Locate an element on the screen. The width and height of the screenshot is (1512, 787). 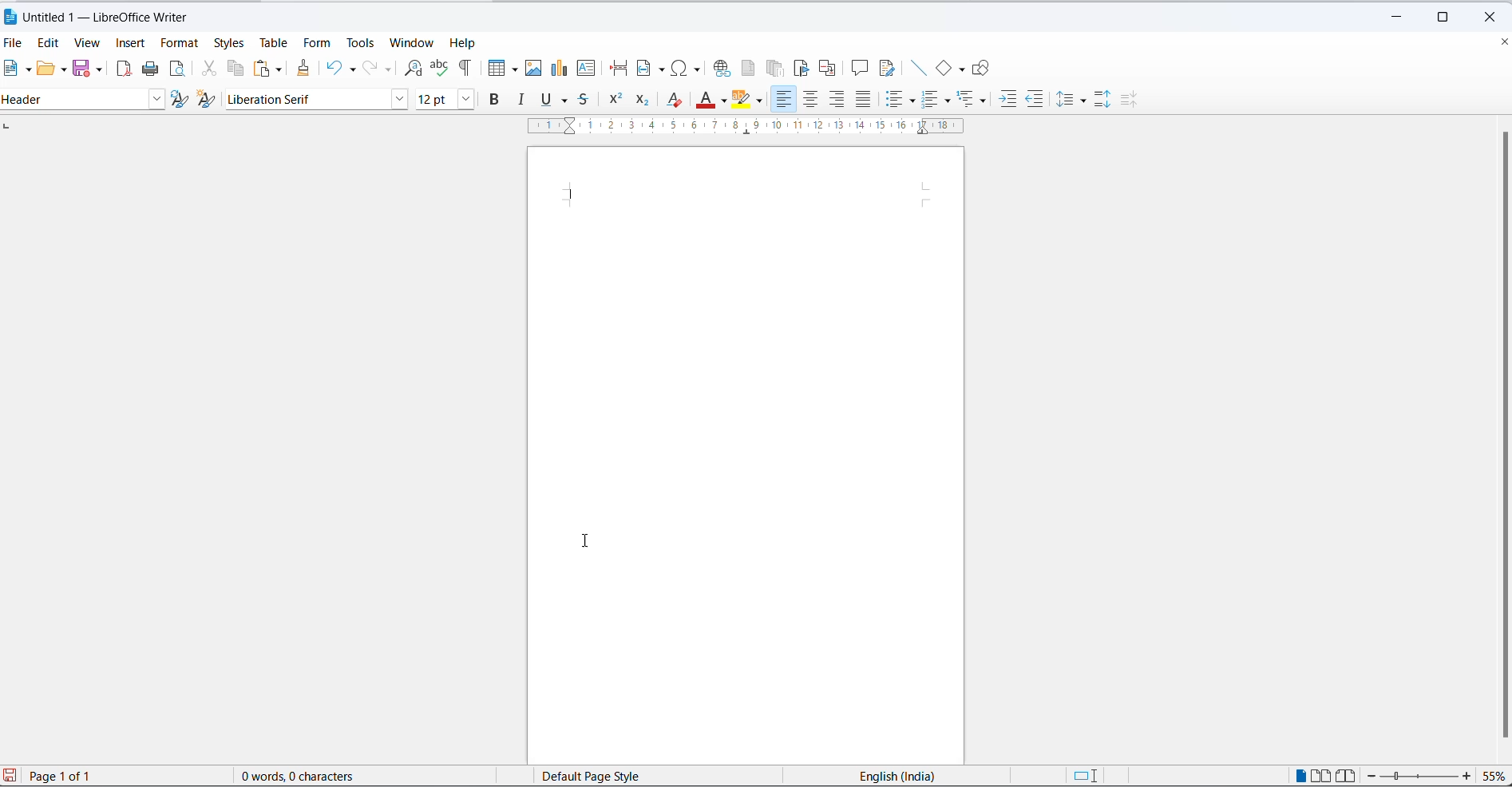
underline is located at coordinates (566, 101).